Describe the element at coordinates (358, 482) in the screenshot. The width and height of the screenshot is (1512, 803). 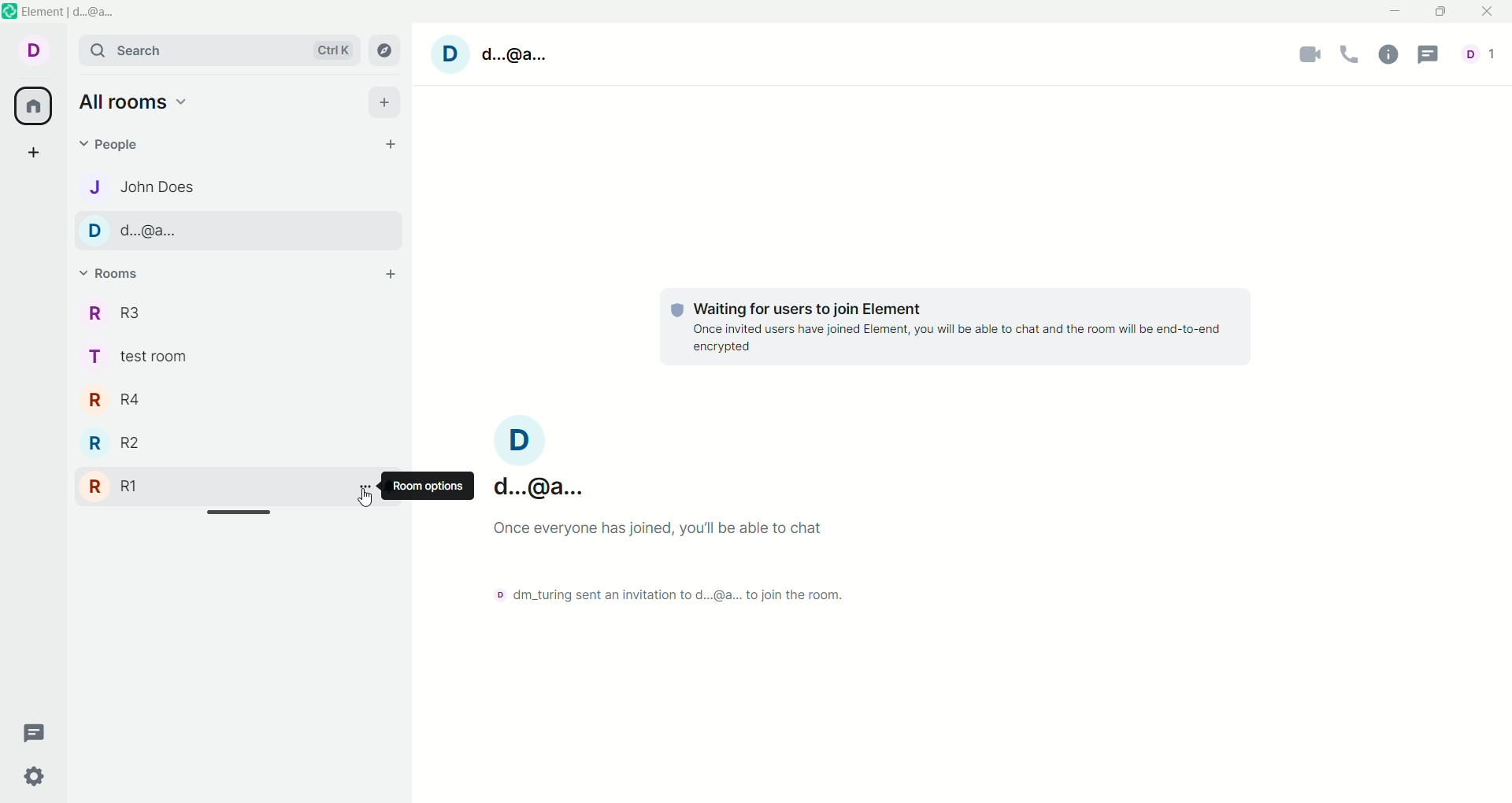
I see `room options` at that location.